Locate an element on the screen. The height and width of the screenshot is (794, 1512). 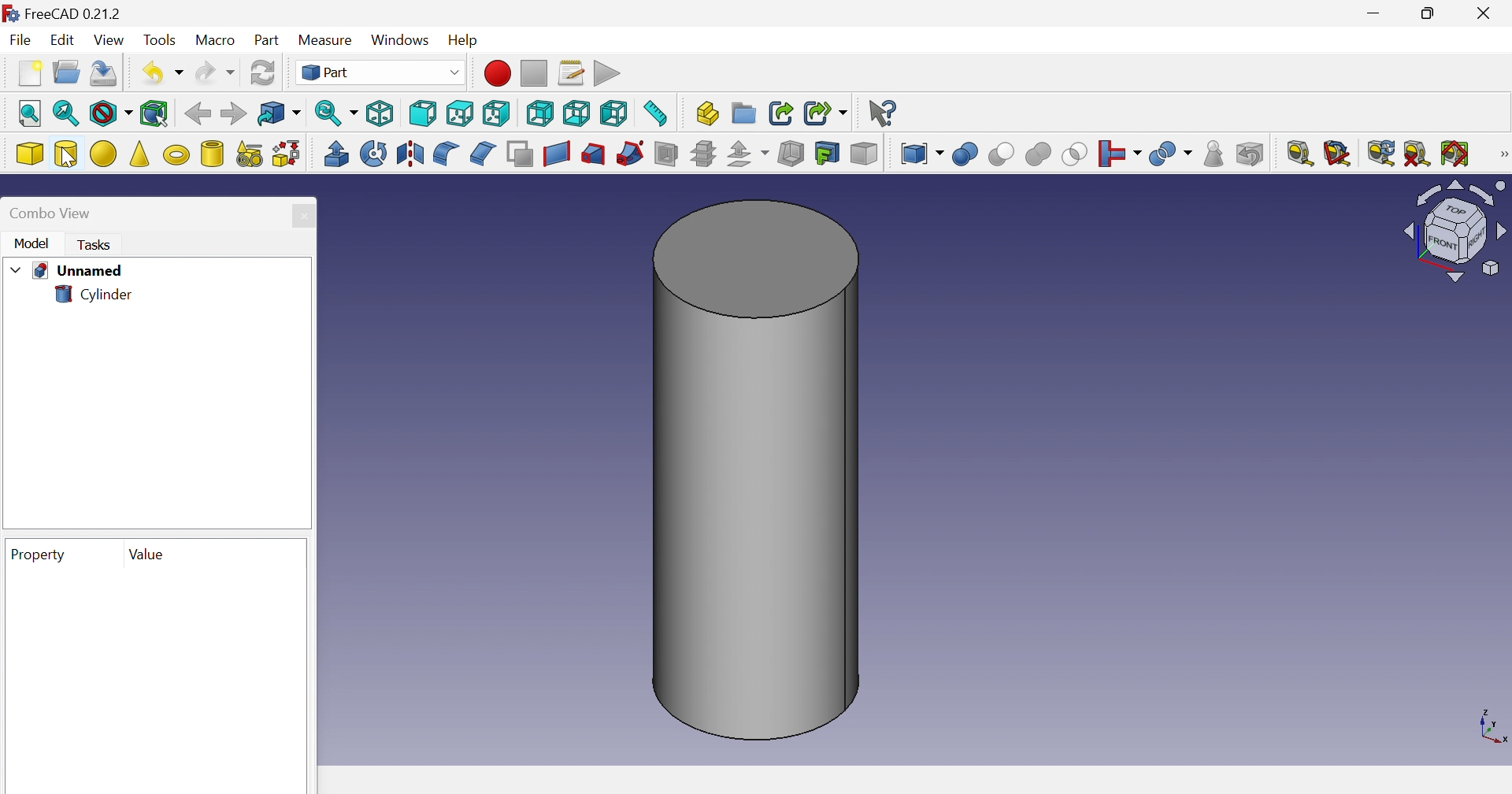
Cut is located at coordinates (1036, 154).